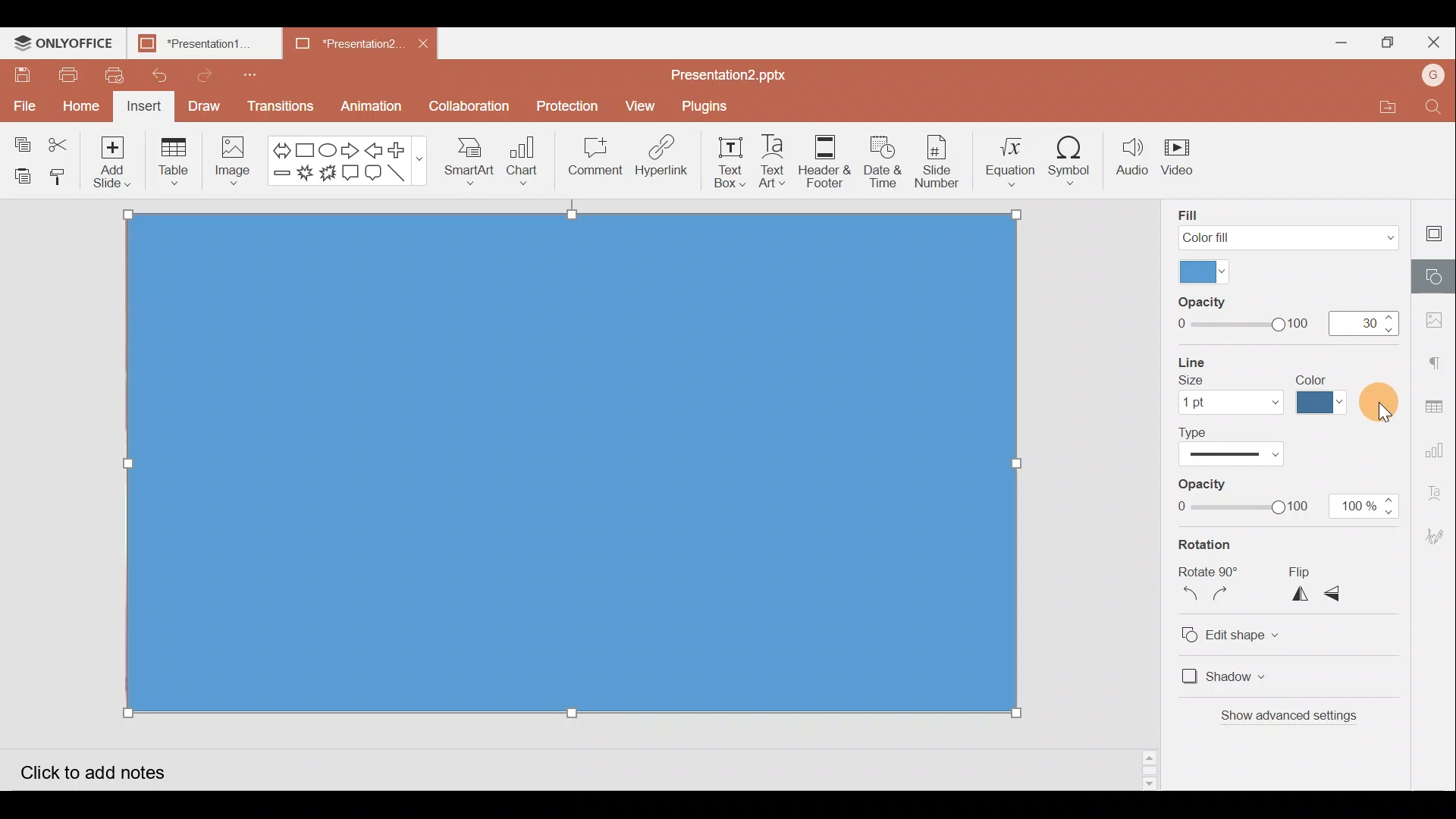 Image resolution: width=1456 pixels, height=819 pixels. I want to click on Shadow, so click(1224, 677).